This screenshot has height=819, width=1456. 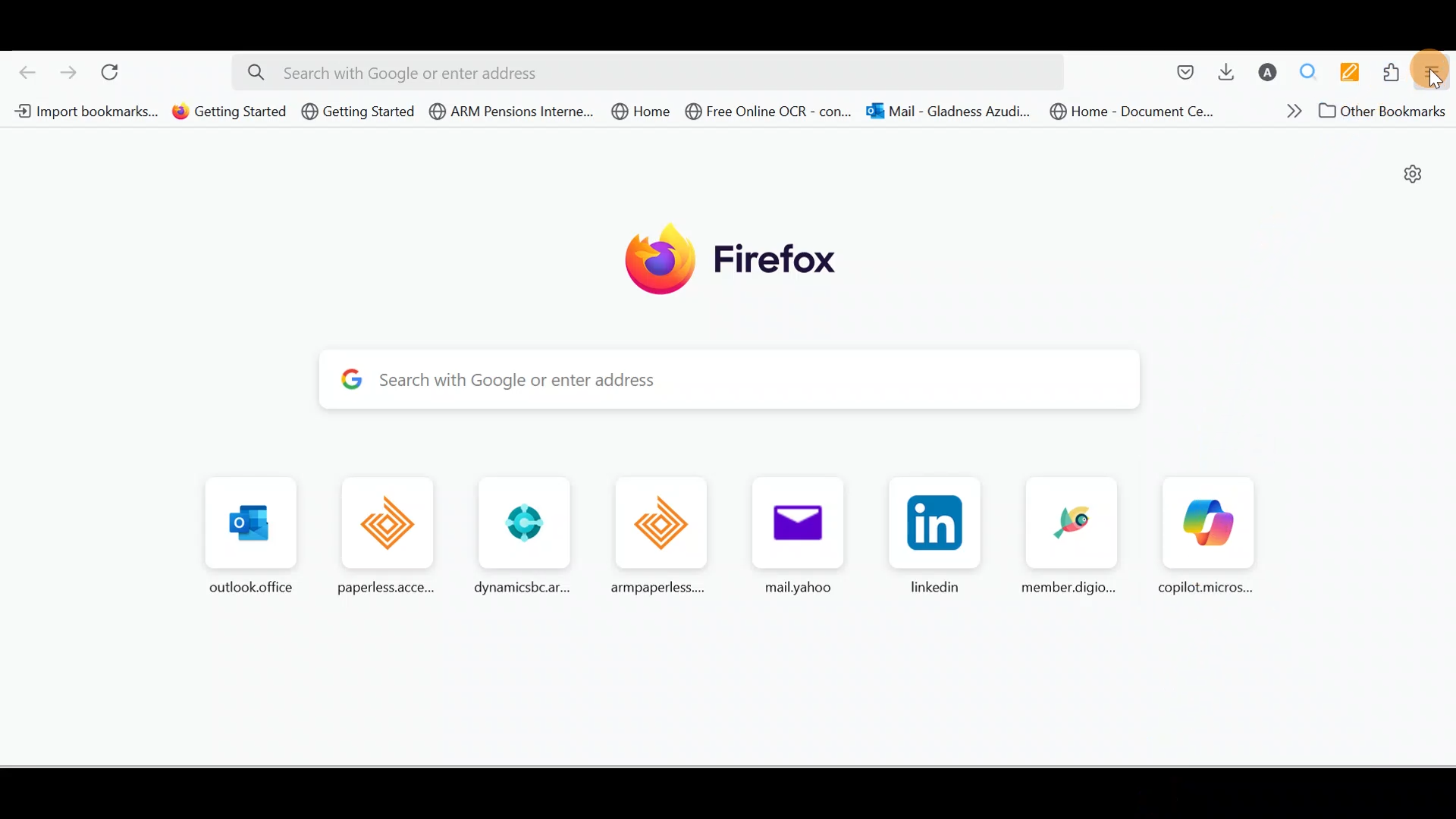 I want to click on Other bookmarks, so click(x=1387, y=111).